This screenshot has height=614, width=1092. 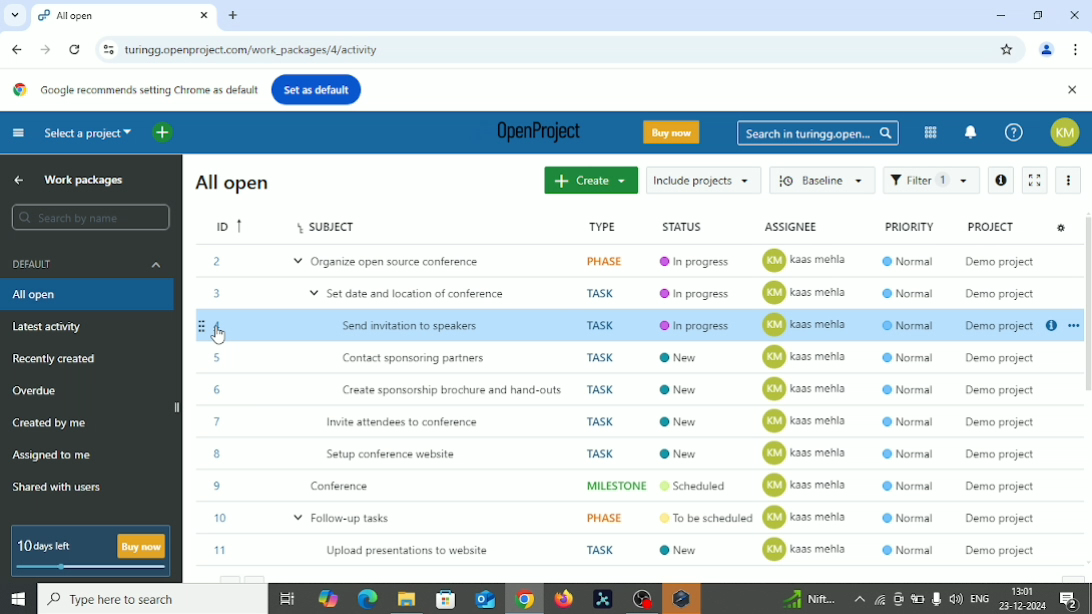 What do you see at coordinates (633, 420) in the screenshot?
I see `Invite attendees to conference` at bounding box center [633, 420].